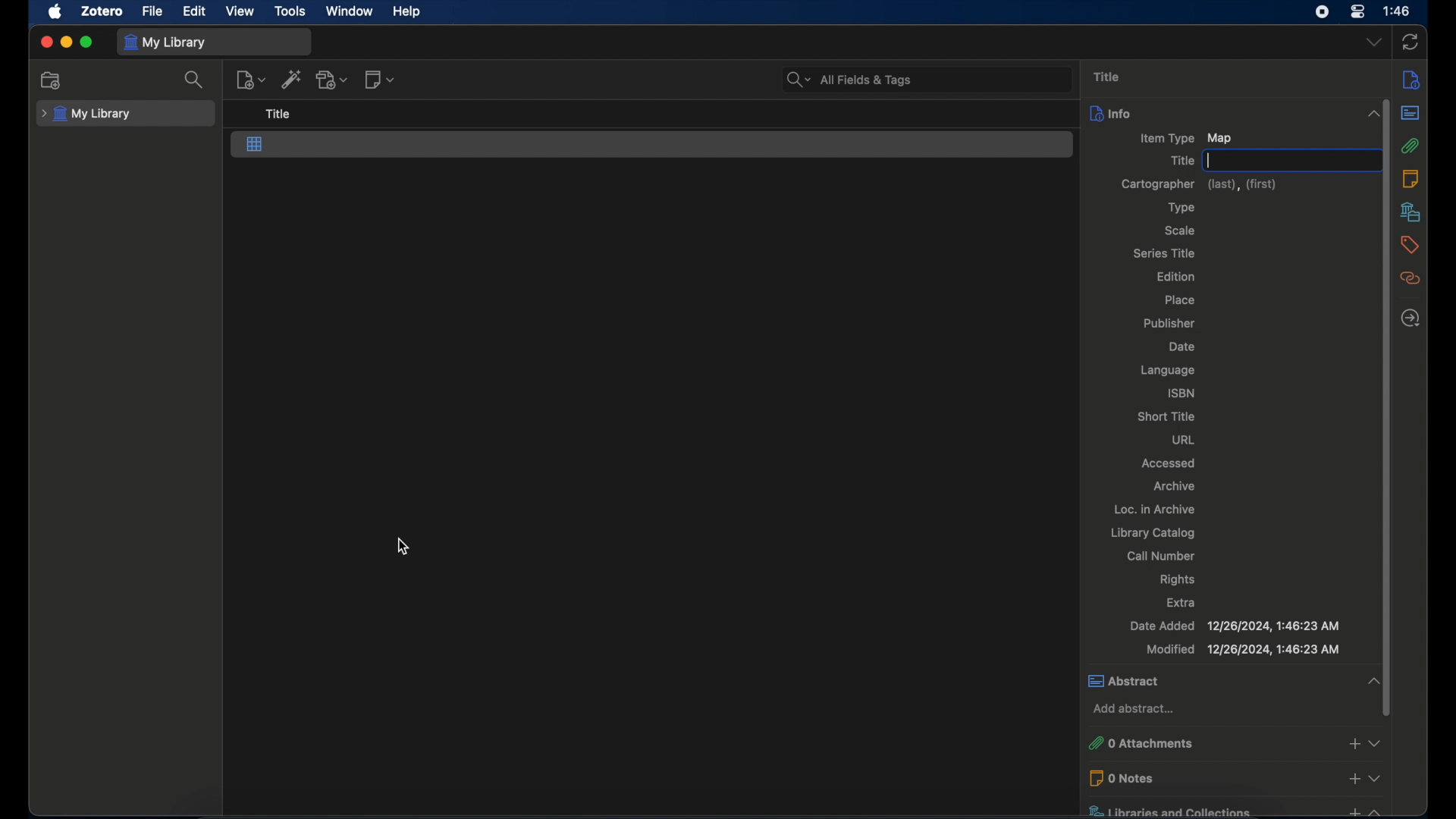 This screenshot has width=1456, height=819. I want to click on my library, so click(165, 42).